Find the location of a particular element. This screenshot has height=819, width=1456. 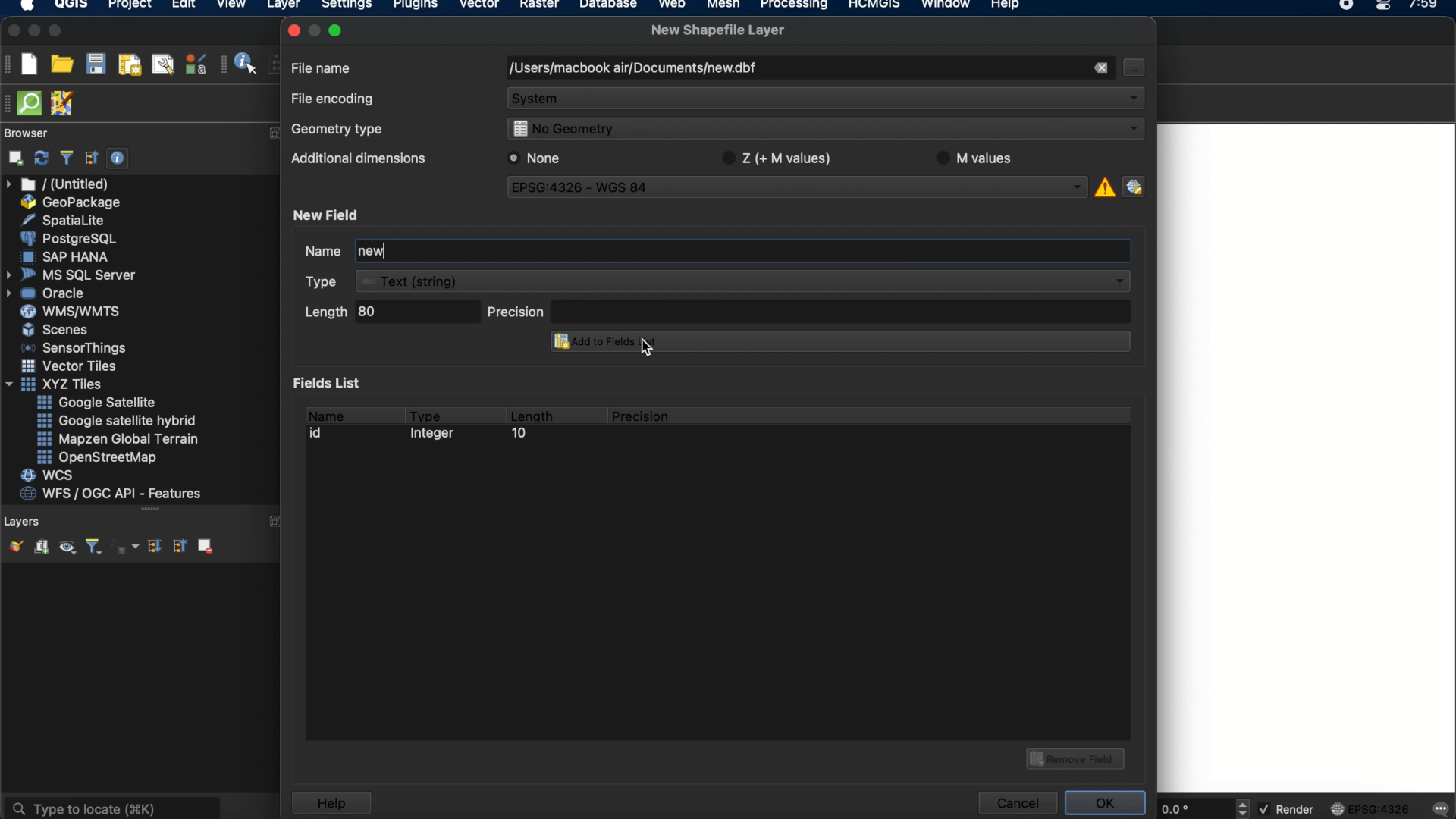

enable/disable properties widget is located at coordinates (118, 158).